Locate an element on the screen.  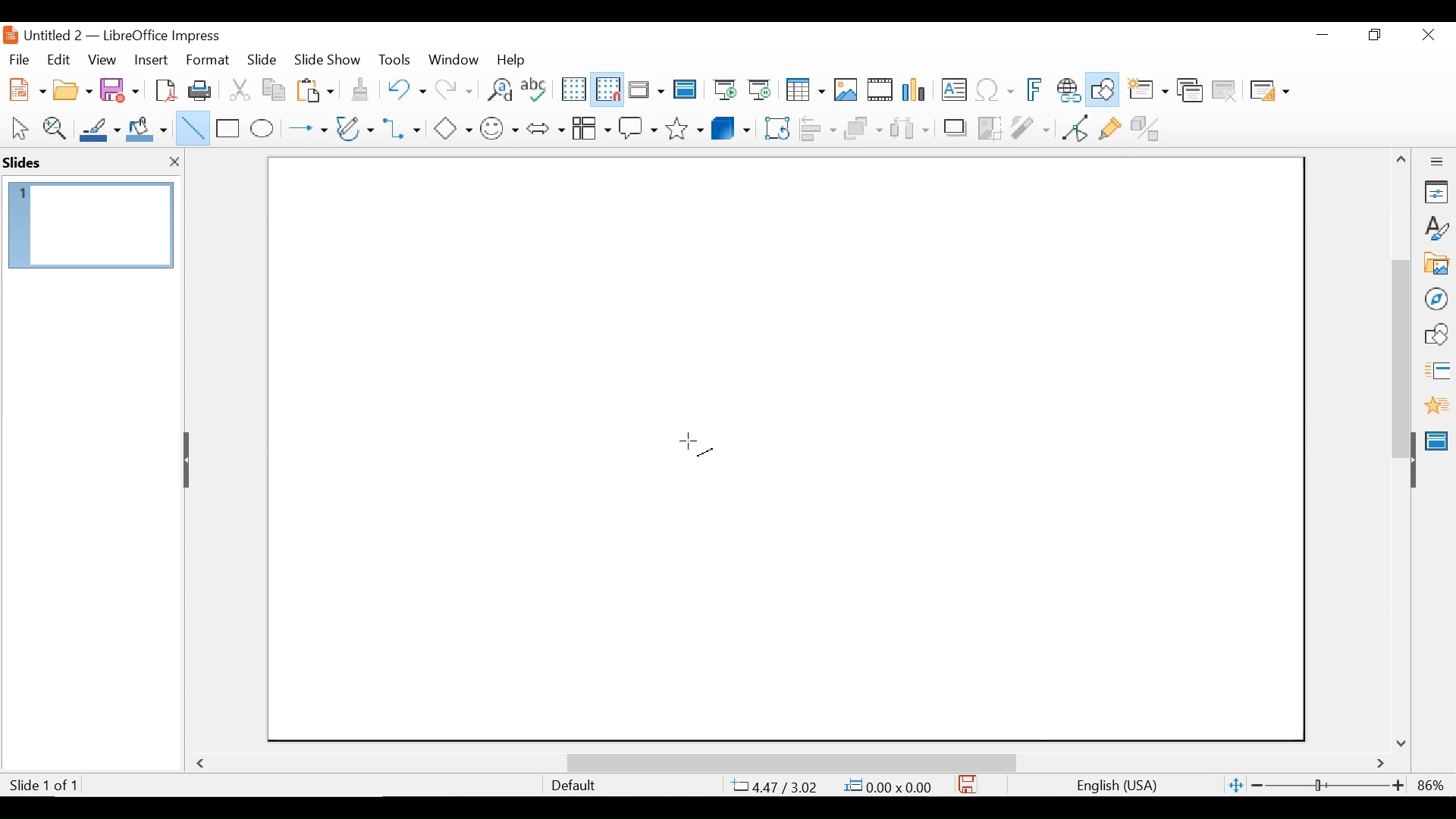
Save is located at coordinates (966, 784).